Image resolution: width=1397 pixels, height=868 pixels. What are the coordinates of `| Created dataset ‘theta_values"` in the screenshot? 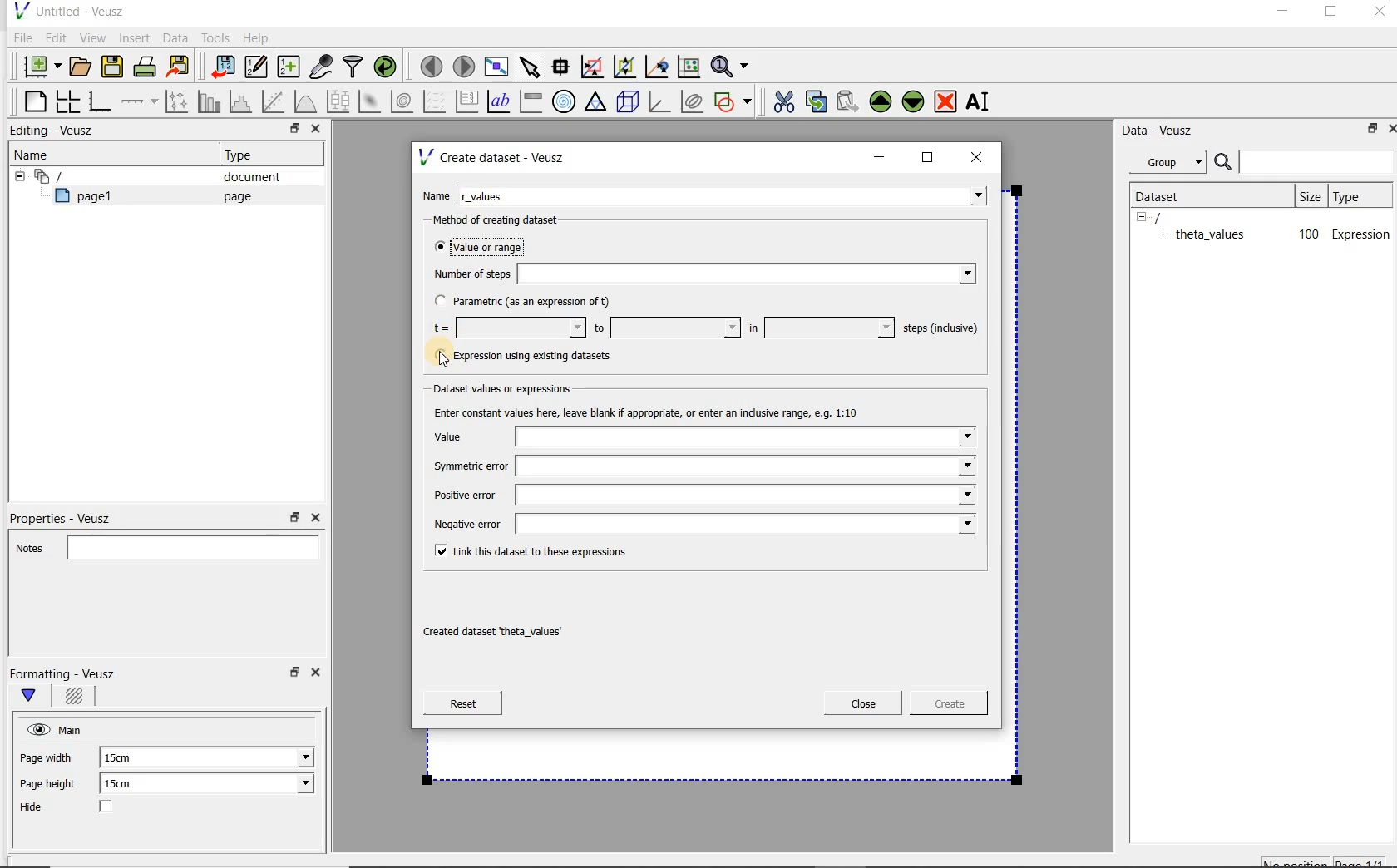 It's located at (511, 633).